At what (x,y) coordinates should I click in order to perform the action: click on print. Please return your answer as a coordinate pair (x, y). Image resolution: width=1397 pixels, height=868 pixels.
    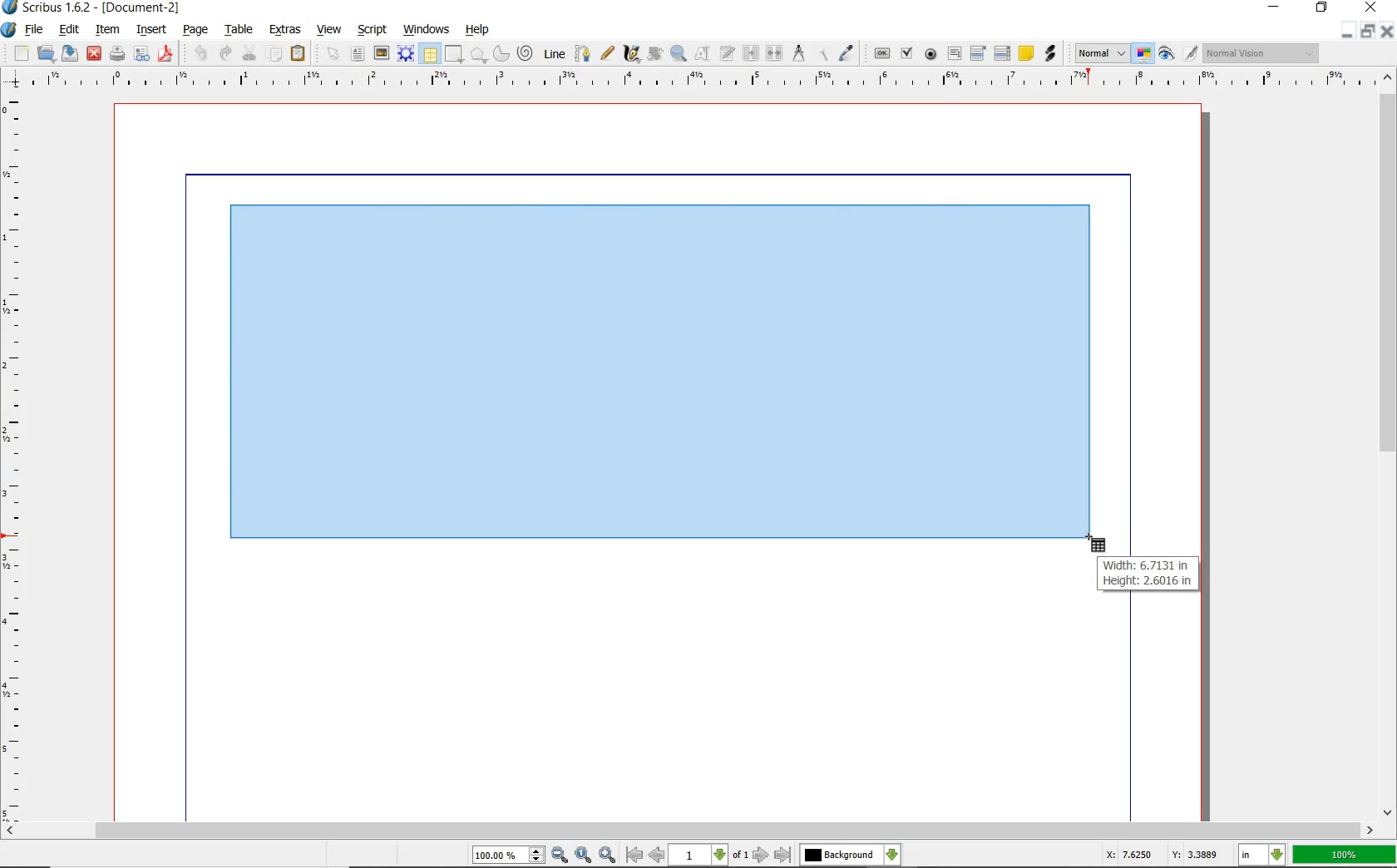
    Looking at the image, I should click on (116, 53).